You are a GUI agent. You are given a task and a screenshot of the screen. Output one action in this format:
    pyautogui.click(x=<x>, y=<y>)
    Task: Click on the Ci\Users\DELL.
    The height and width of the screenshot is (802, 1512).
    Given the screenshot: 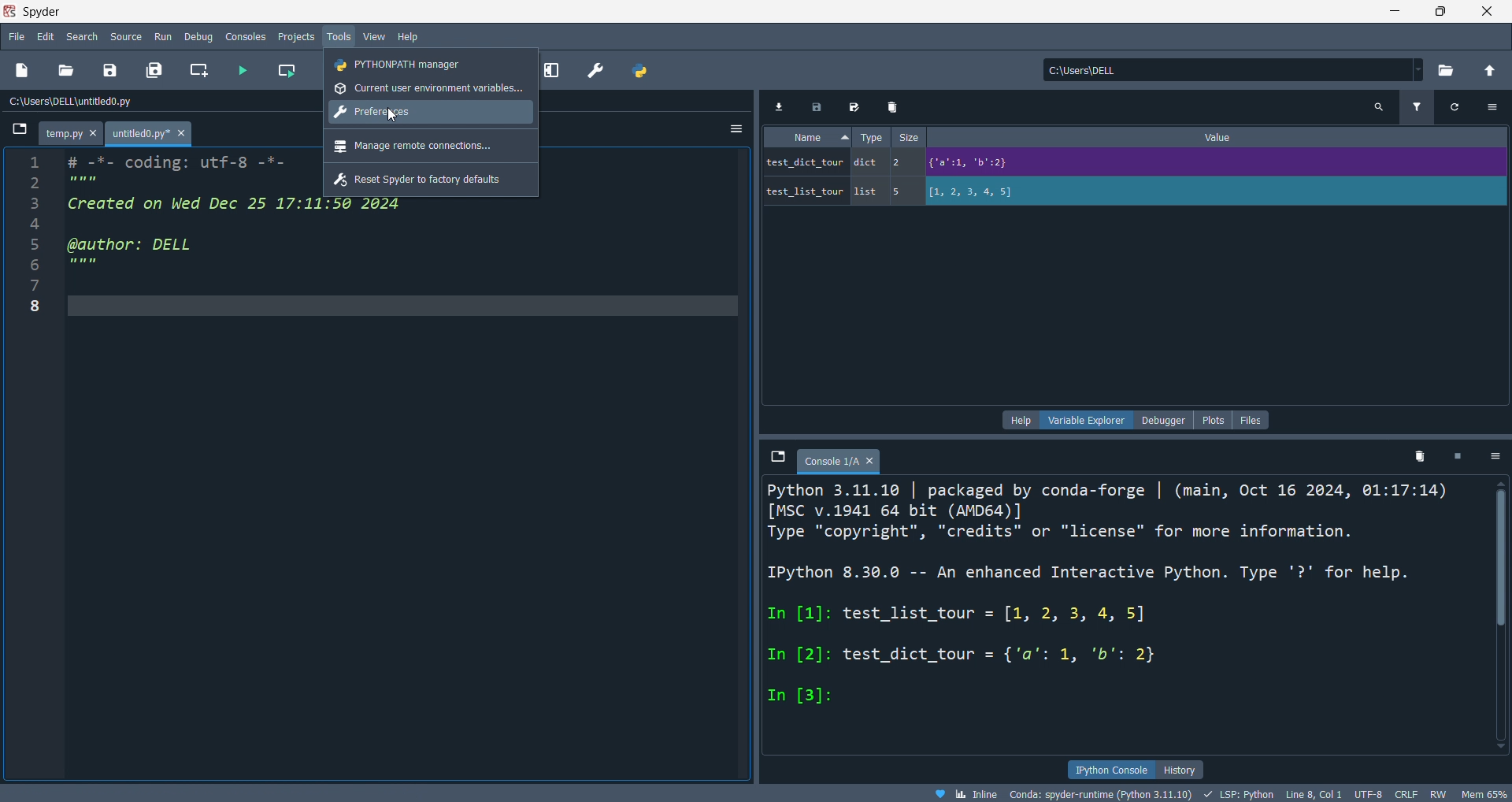 What is the action you would take?
    pyautogui.click(x=1107, y=69)
    